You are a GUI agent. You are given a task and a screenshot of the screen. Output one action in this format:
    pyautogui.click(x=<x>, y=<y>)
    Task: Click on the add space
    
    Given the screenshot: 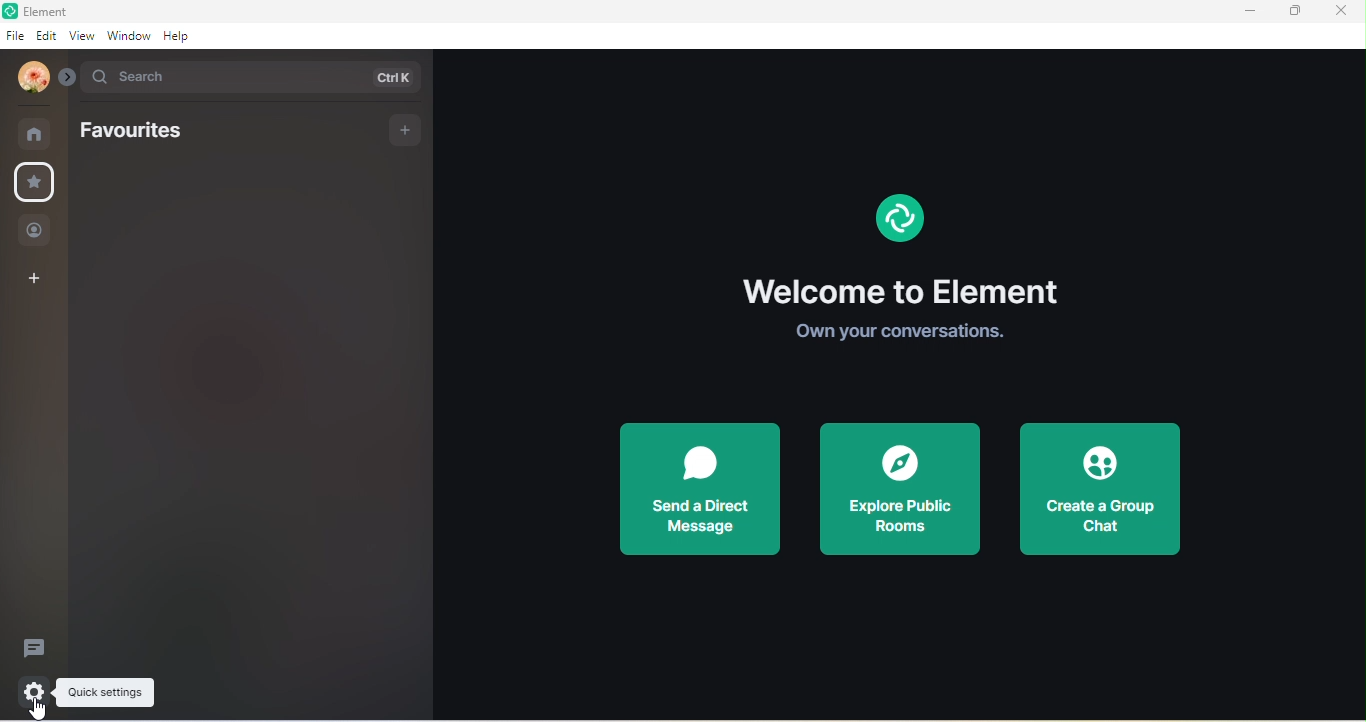 What is the action you would take?
    pyautogui.click(x=35, y=282)
    